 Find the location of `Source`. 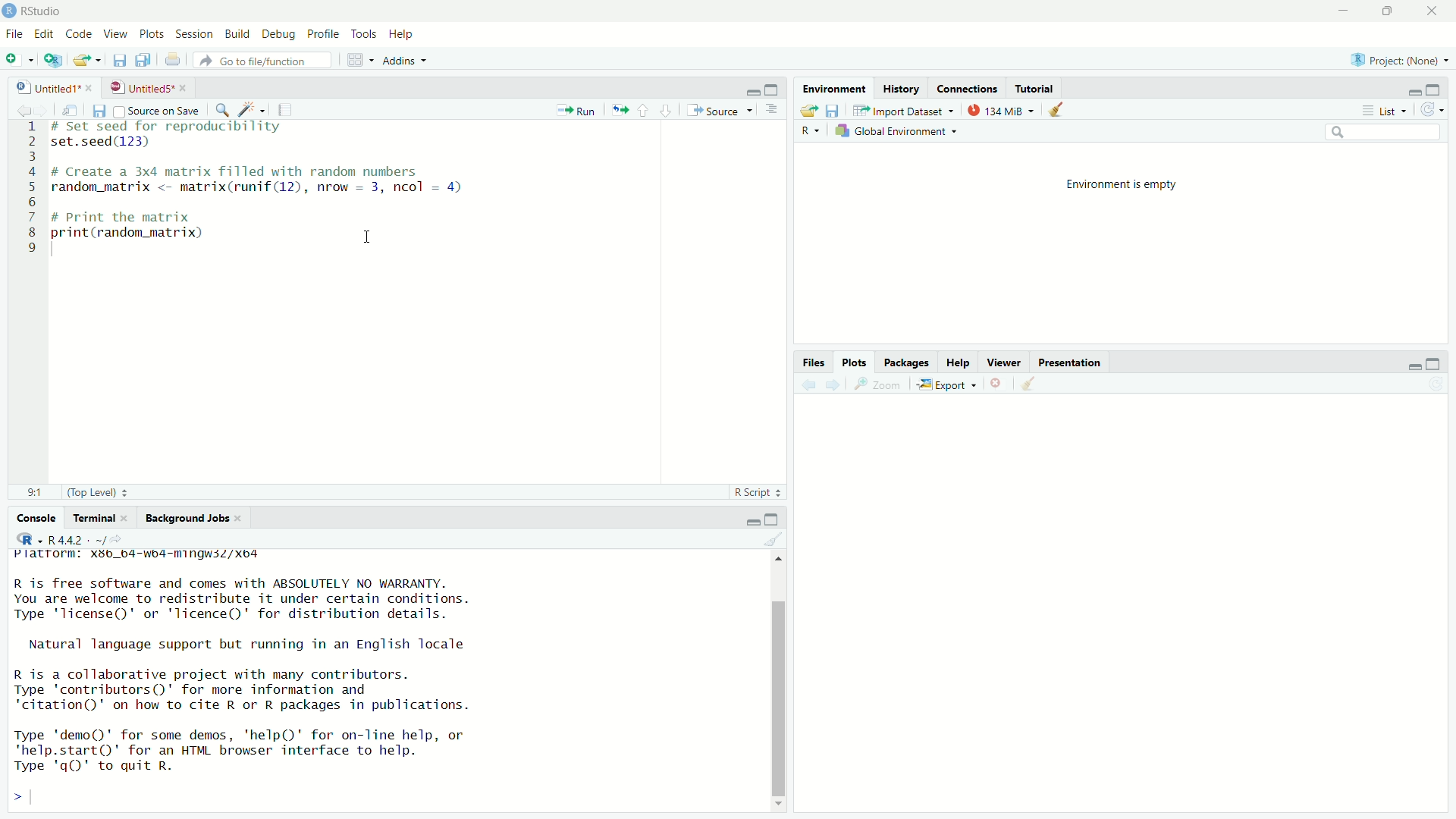

Source is located at coordinates (722, 108).